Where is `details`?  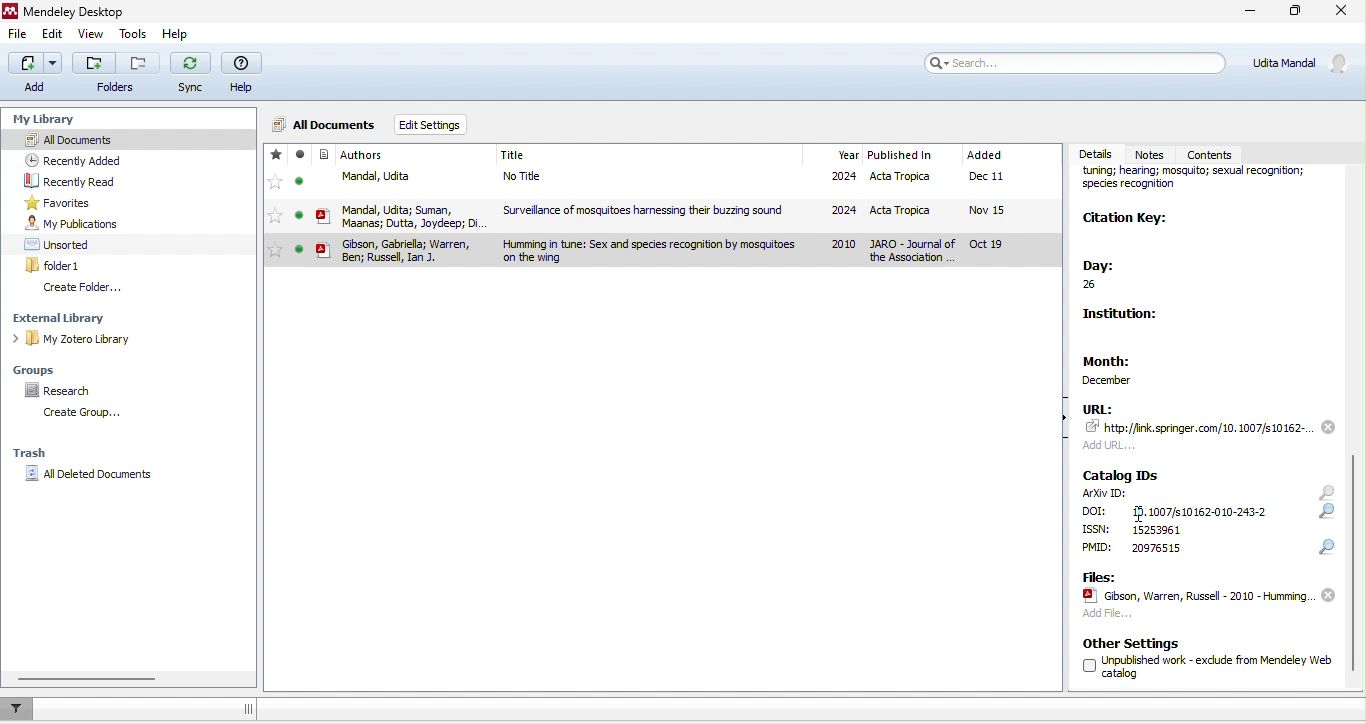
details is located at coordinates (1098, 154).